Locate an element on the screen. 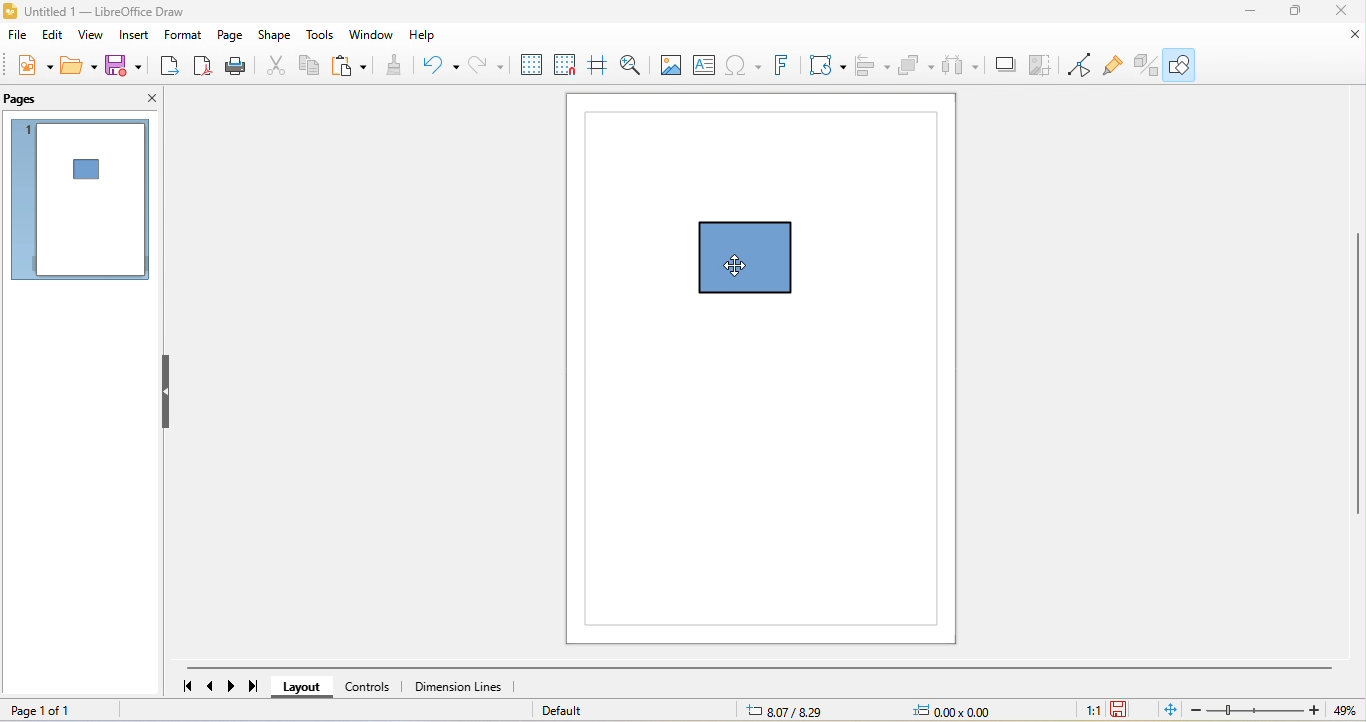  fontwork text is located at coordinates (781, 66).